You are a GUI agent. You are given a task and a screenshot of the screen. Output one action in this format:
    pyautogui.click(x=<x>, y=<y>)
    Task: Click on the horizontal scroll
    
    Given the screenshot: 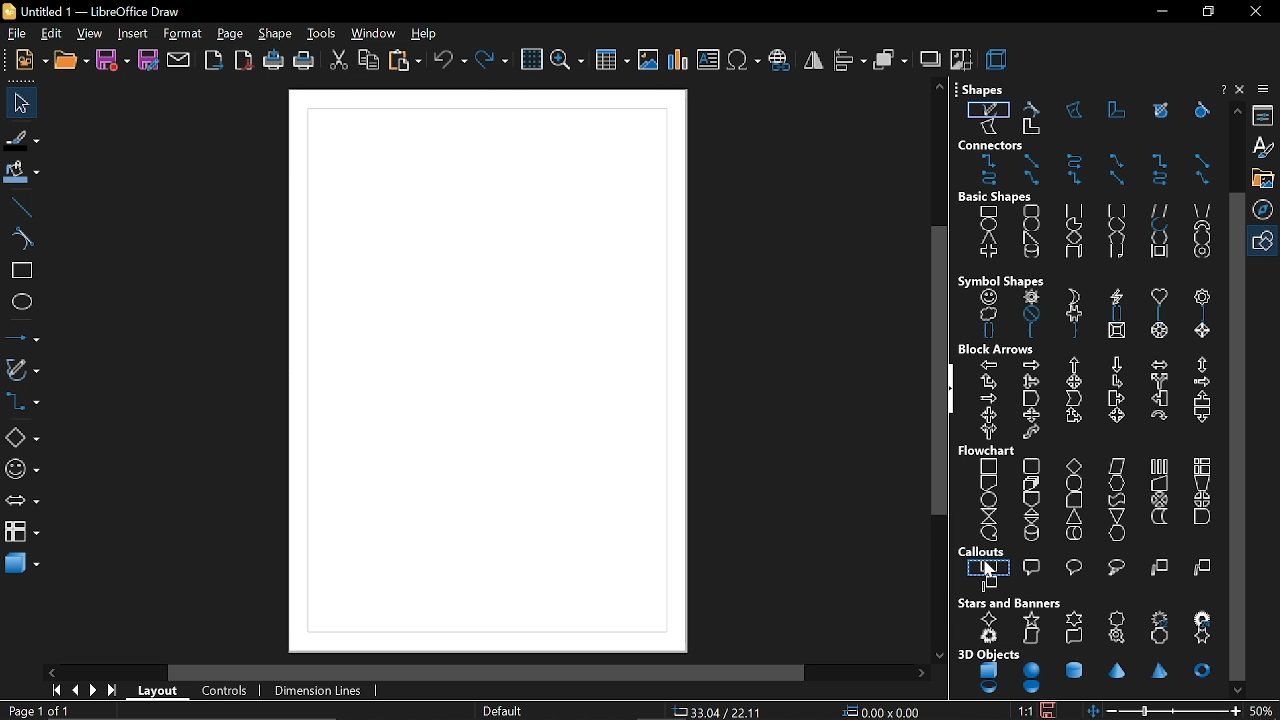 What is the action you would take?
    pyautogui.click(x=1072, y=636)
    